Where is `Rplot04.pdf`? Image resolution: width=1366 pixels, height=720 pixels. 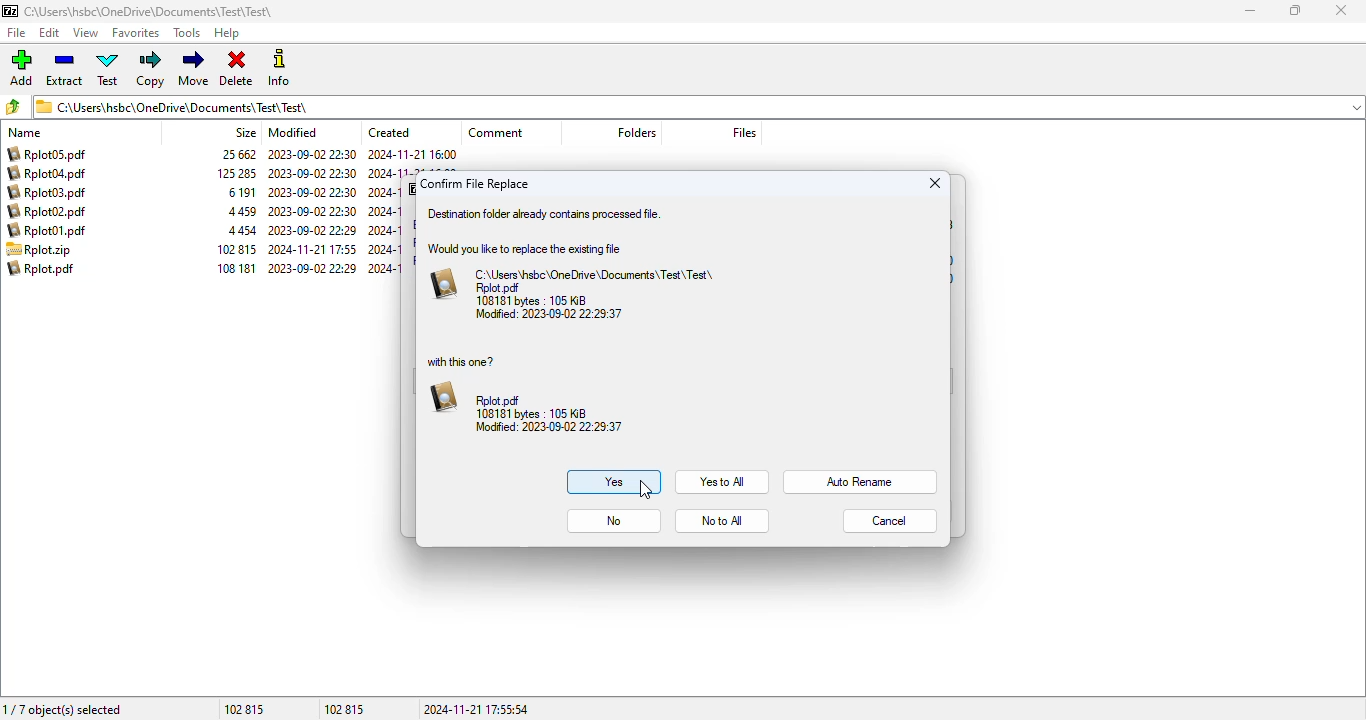
Rplot04.pdf is located at coordinates (47, 173).